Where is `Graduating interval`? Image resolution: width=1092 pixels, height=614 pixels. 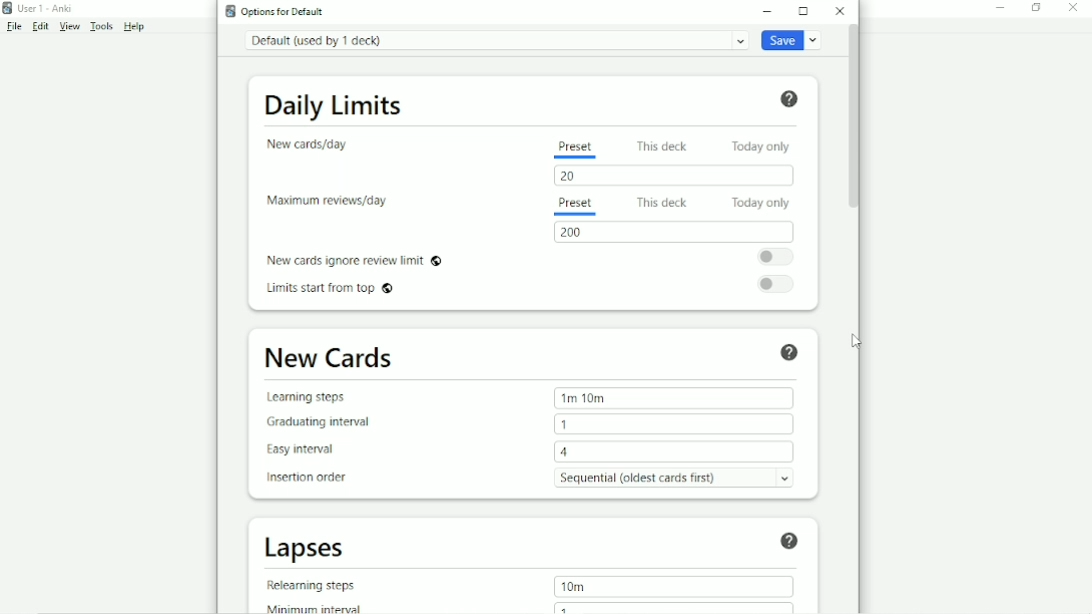
Graduating interval is located at coordinates (317, 424).